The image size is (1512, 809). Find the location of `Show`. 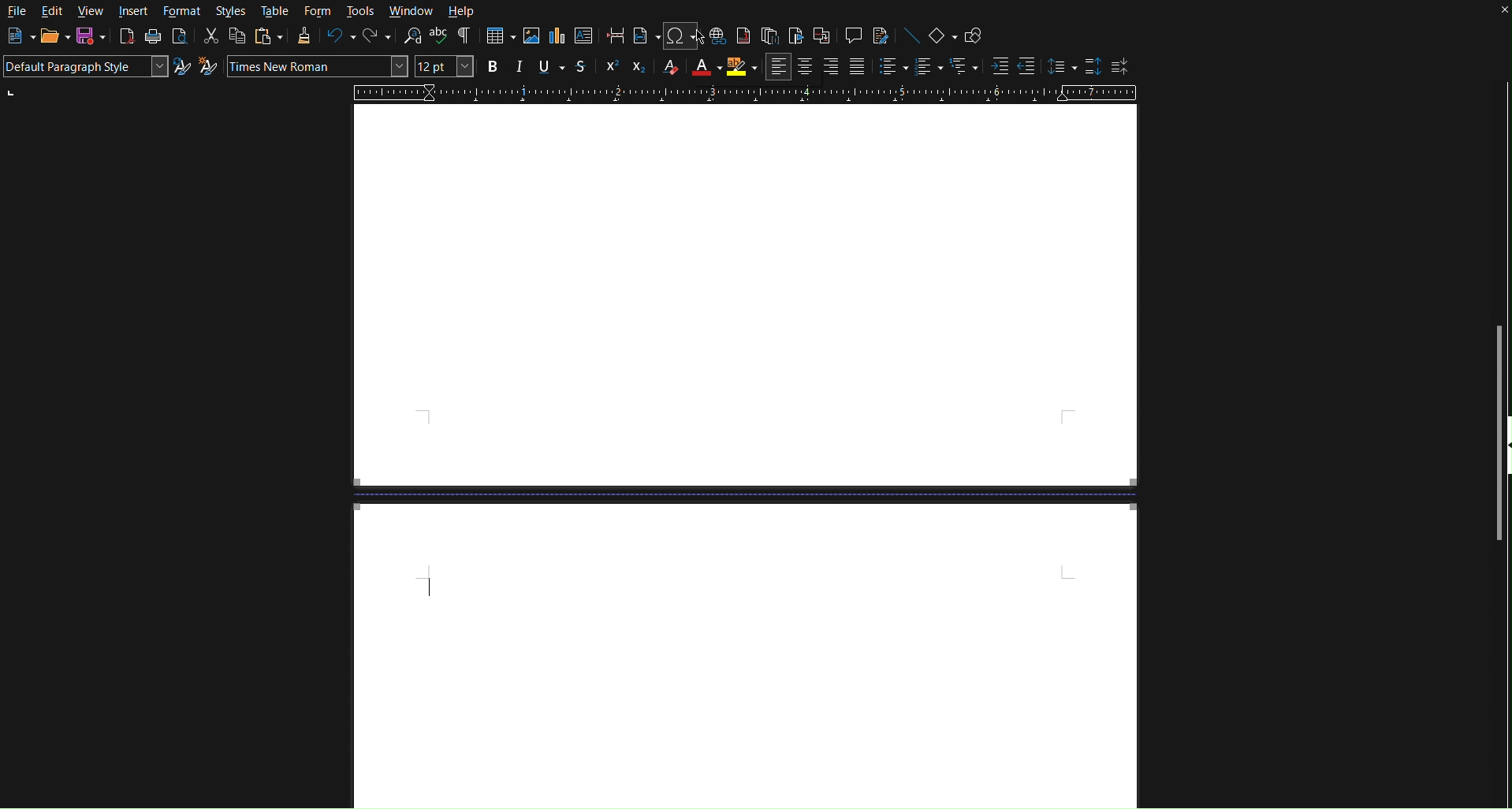

Show is located at coordinates (1503, 457).